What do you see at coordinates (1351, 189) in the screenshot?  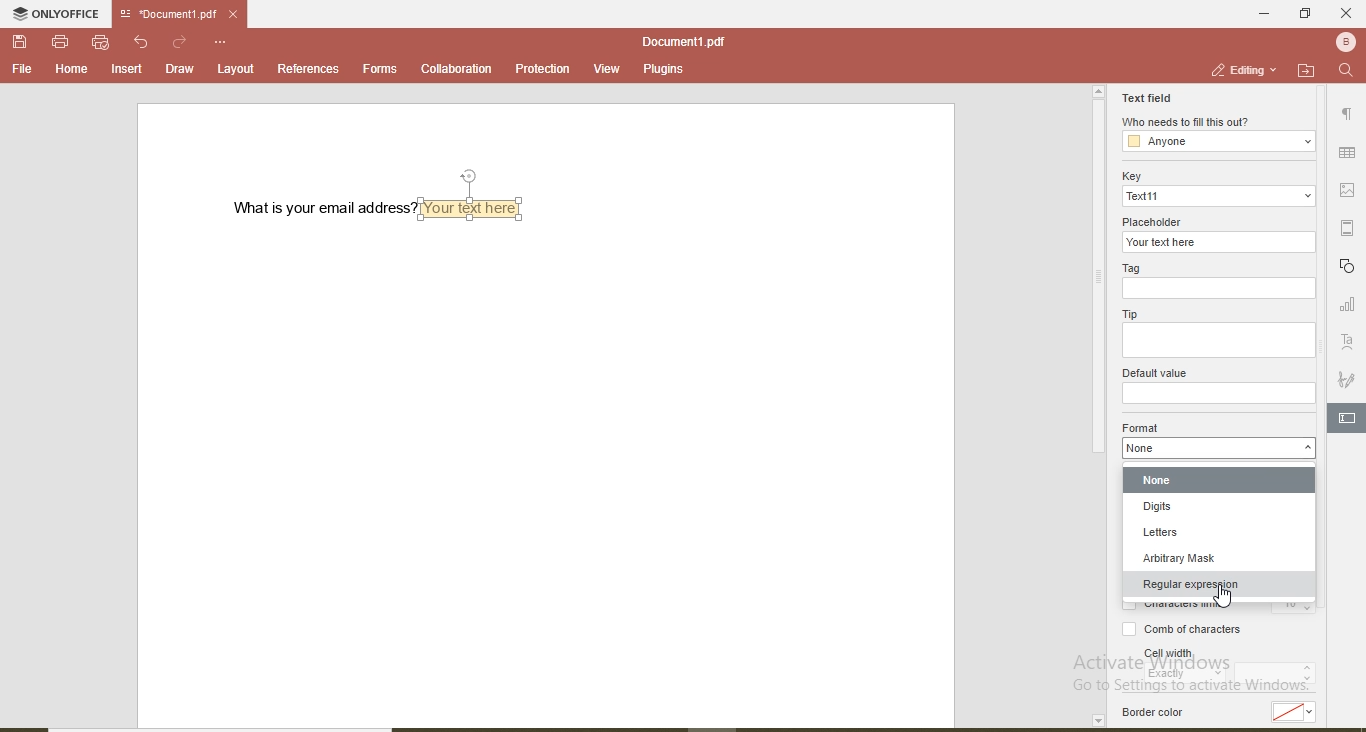 I see `picture` at bounding box center [1351, 189].